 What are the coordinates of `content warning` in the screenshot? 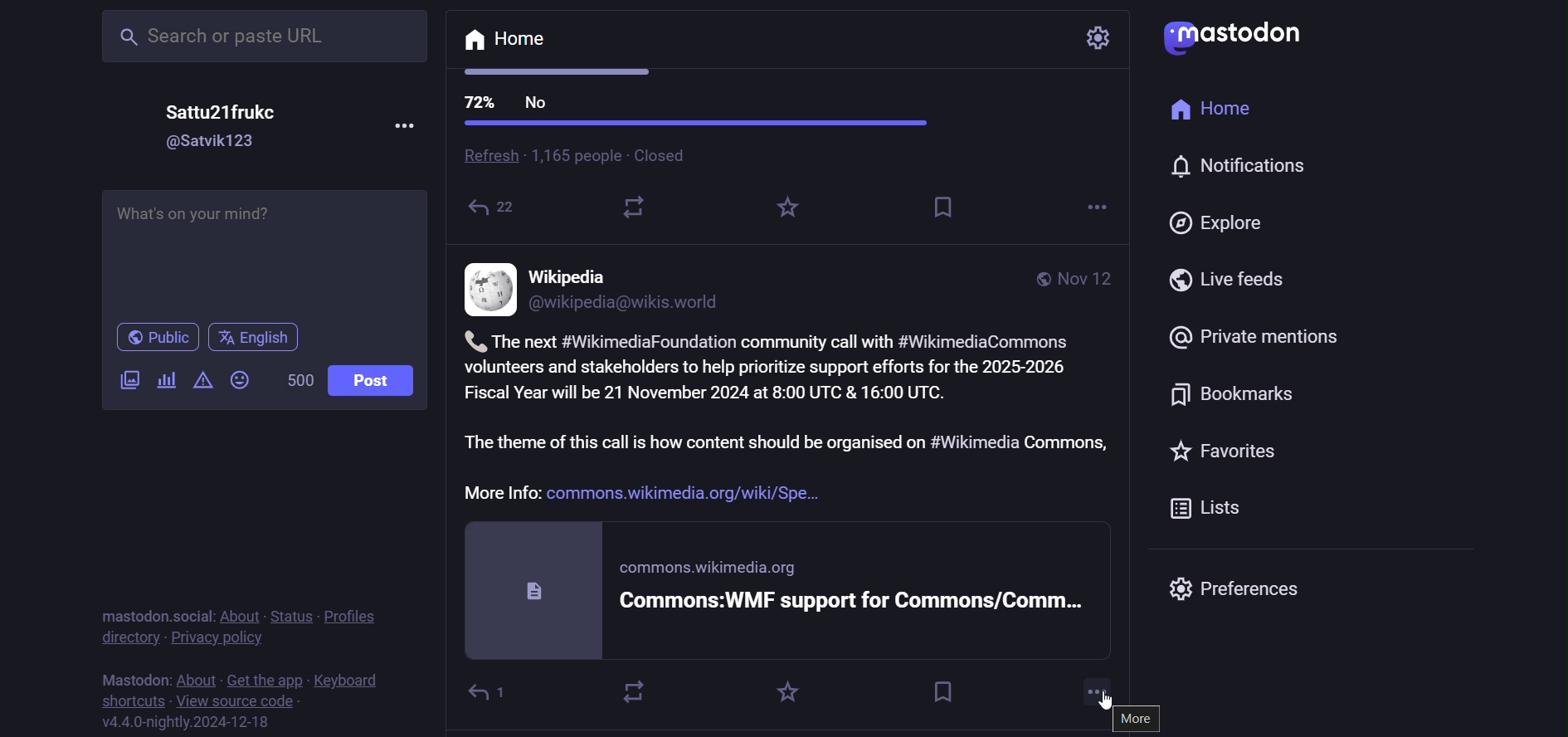 It's located at (200, 381).